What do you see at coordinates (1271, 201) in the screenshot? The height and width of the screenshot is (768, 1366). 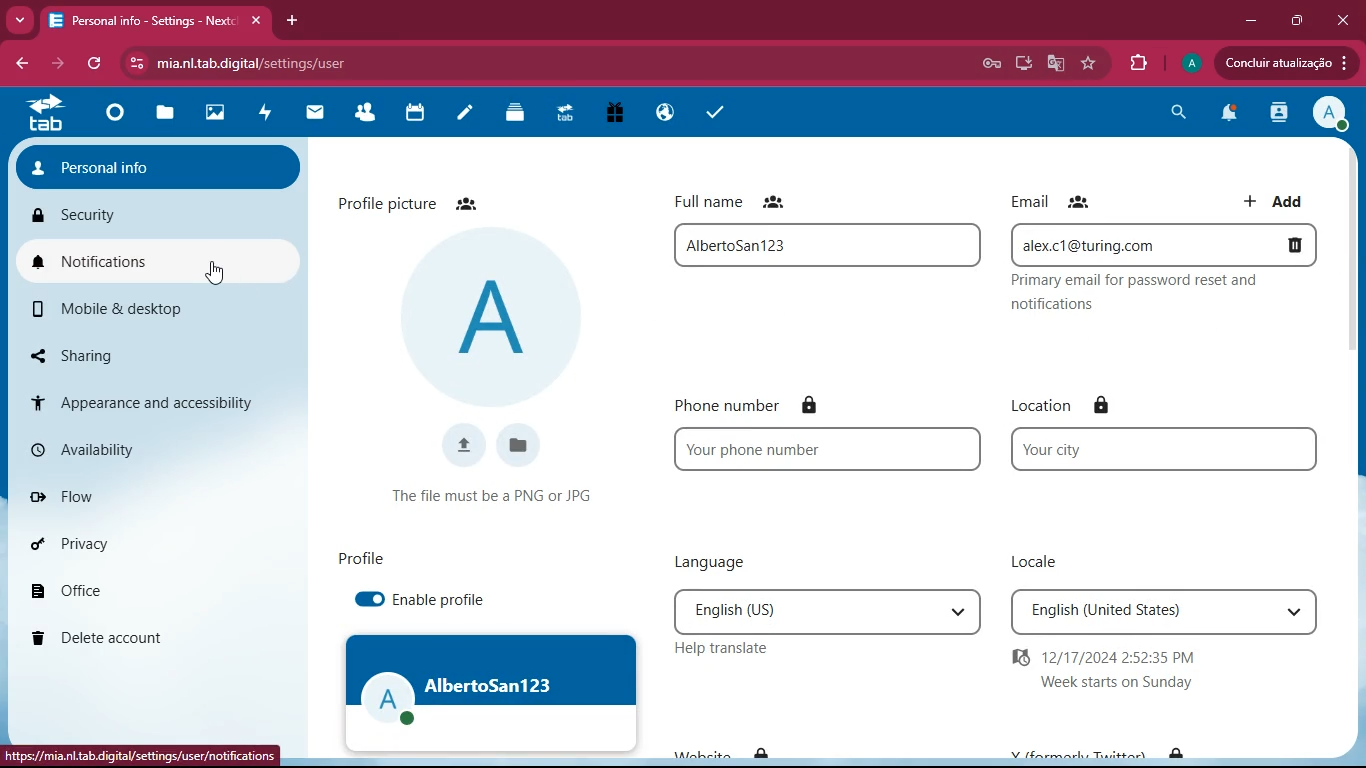 I see `add` at bounding box center [1271, 201].